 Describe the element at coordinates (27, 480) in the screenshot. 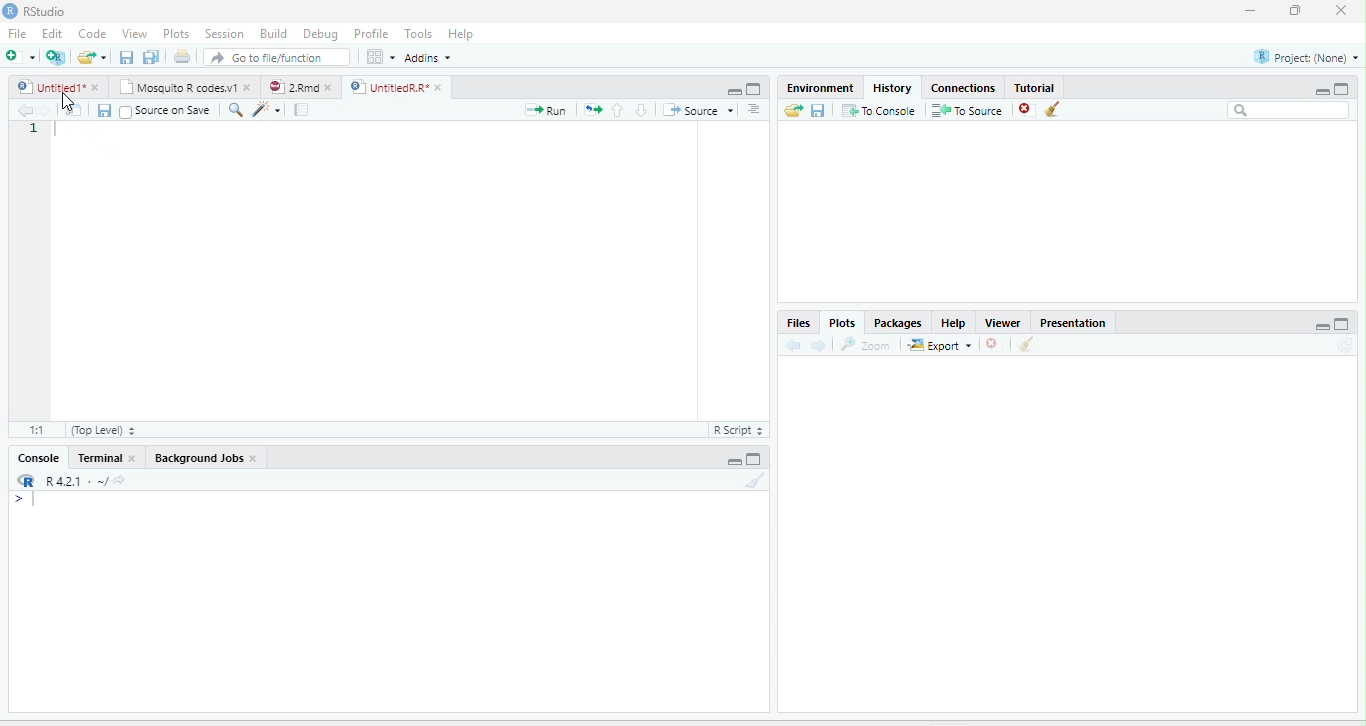

I see `R` at that location.